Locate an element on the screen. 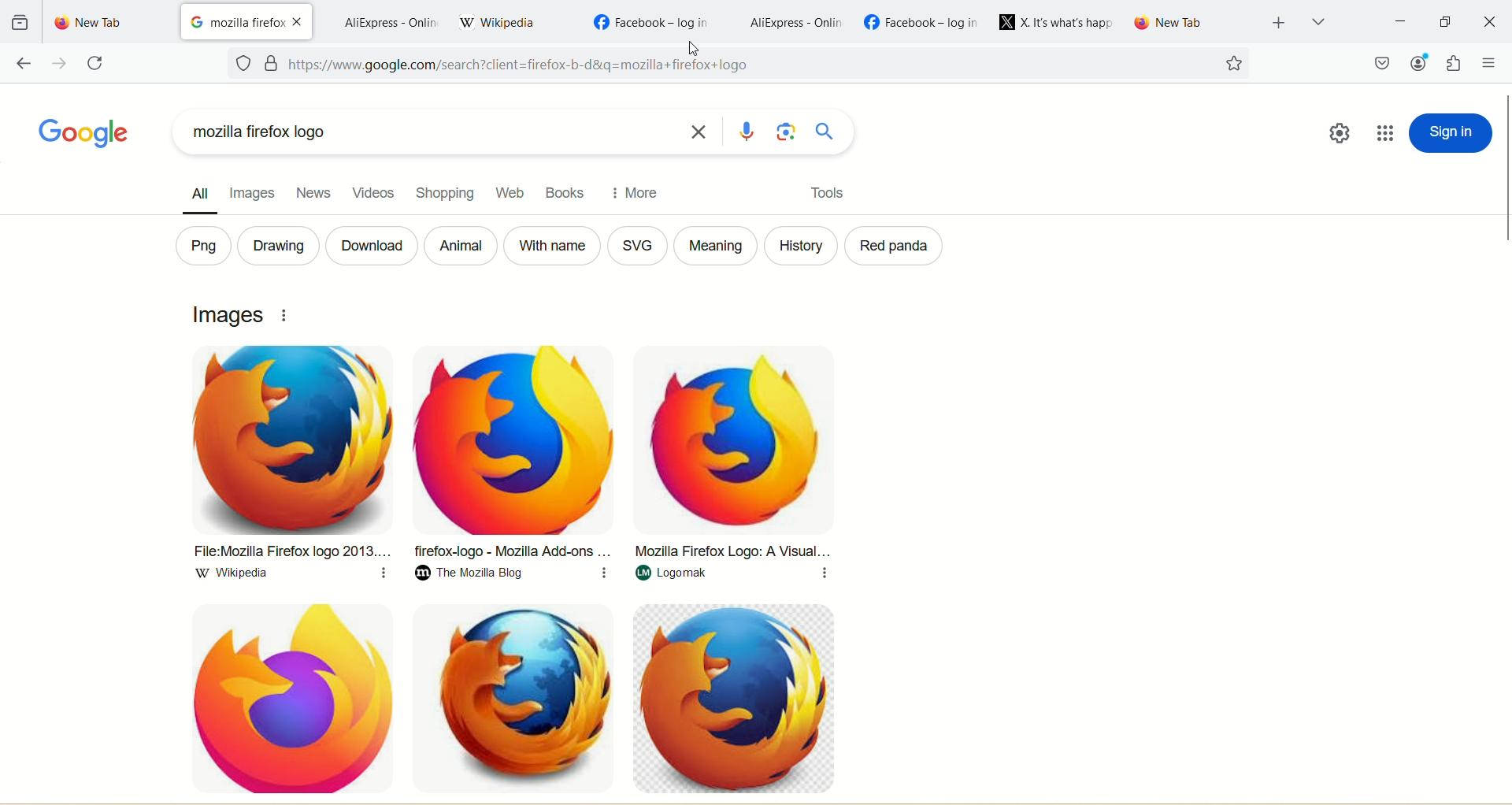 This screenshot has width=1512, height=805. search by image is located at coordinates (787, 132).